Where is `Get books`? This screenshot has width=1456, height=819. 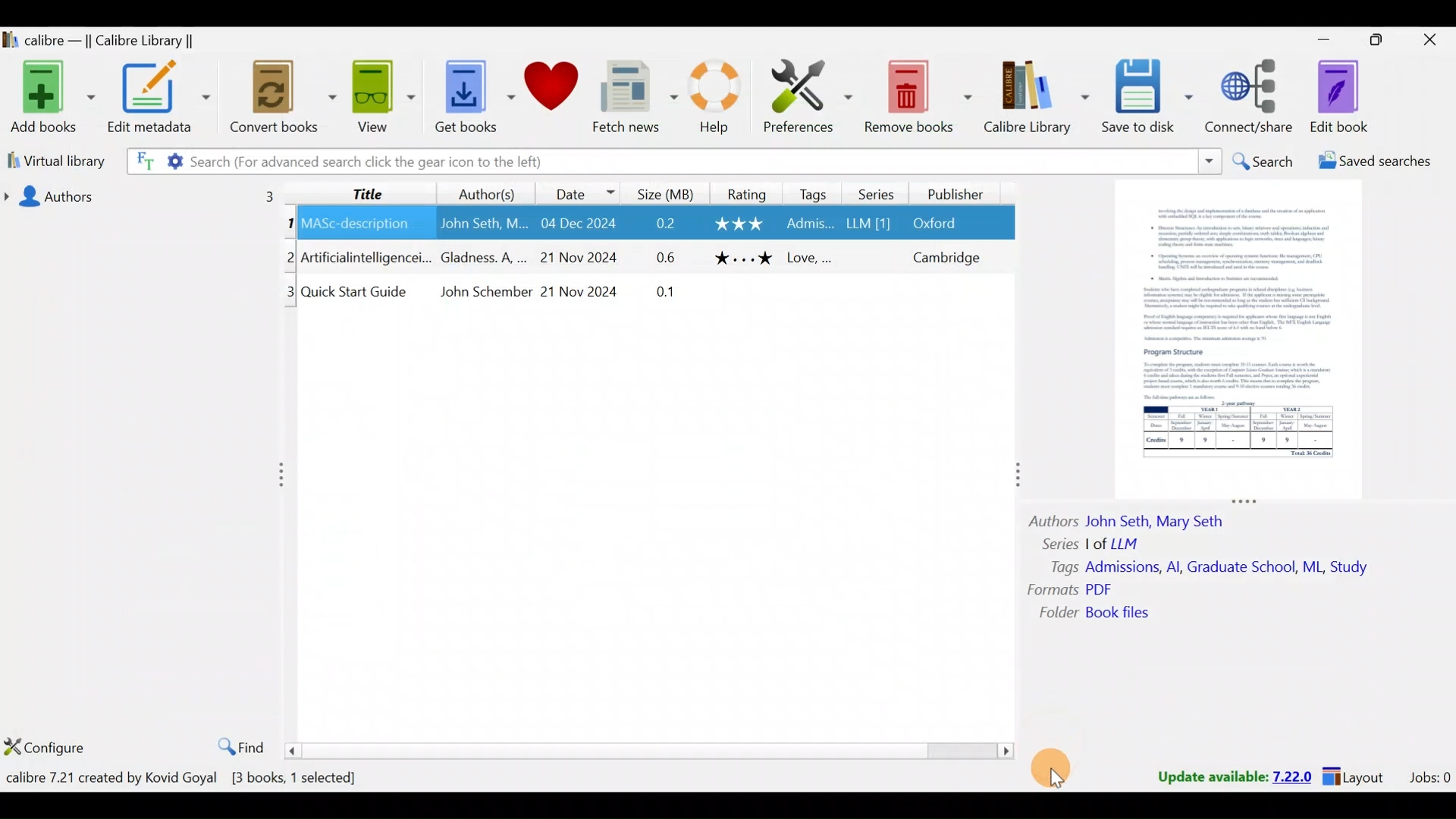 Get books is located at coordinates (474, 100).